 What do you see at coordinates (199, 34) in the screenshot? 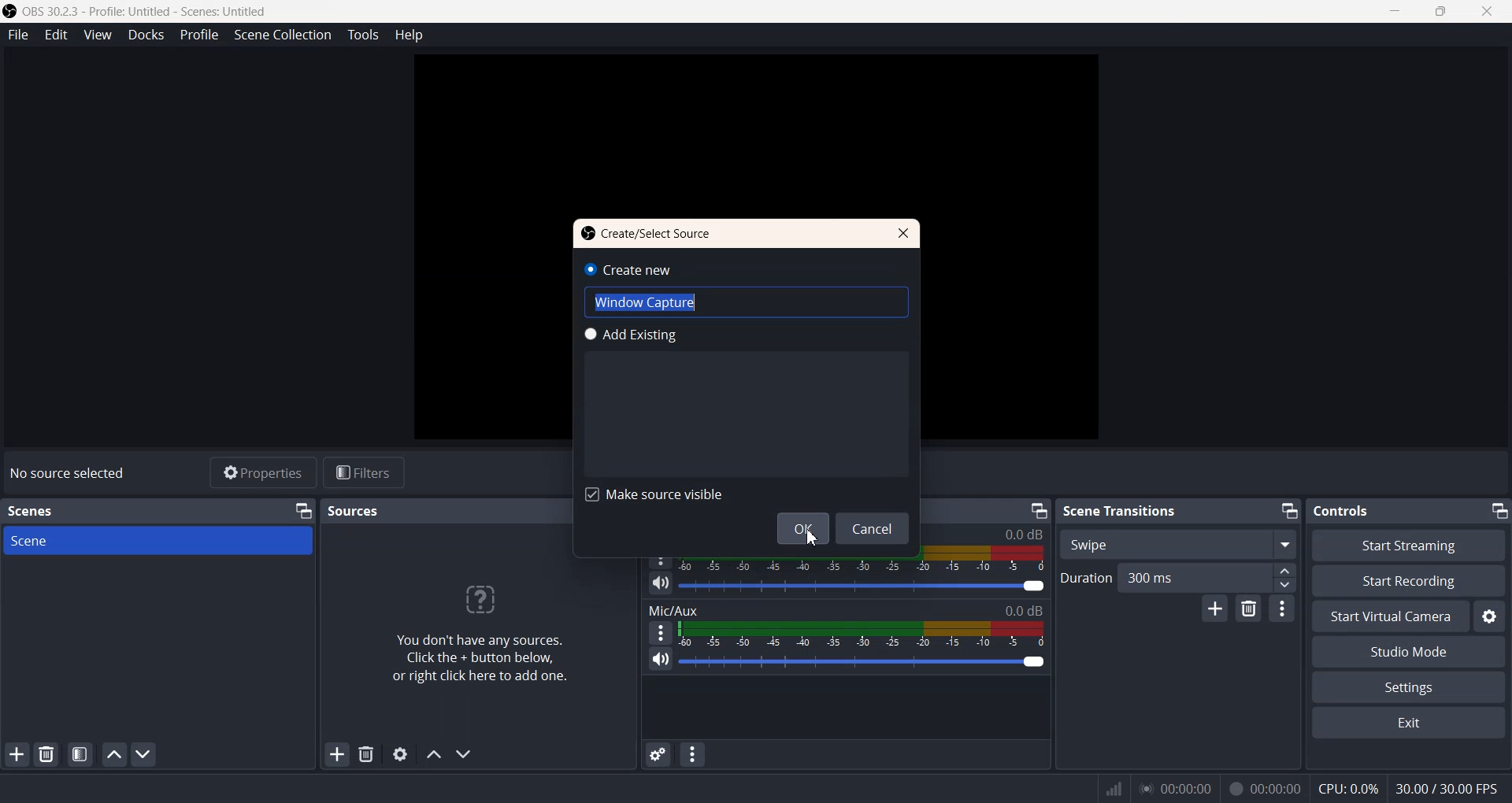
I see `Profile` at bounding box center [199, 34].